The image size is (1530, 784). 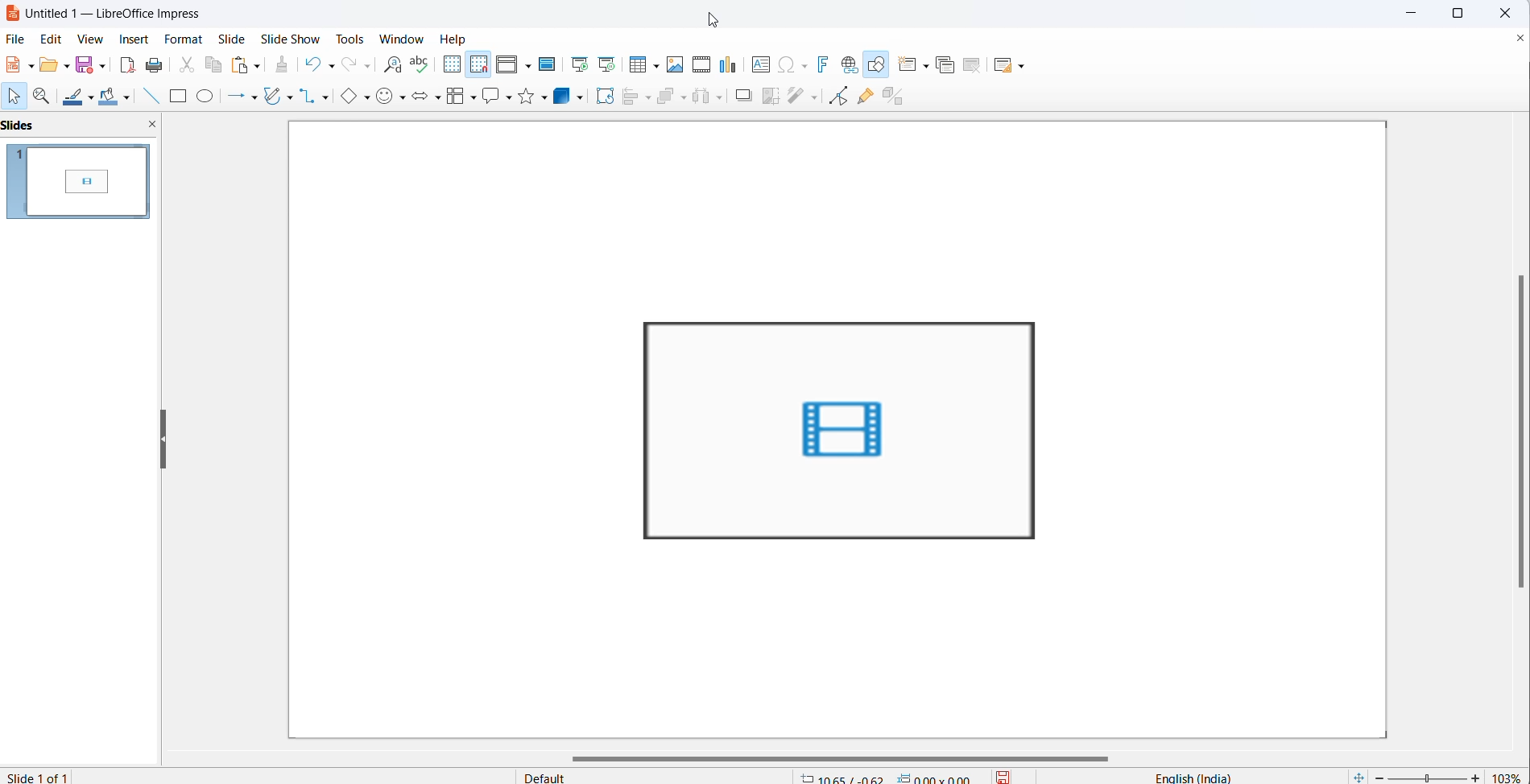 What do you see at coordinates (564, 95) in the screenshot?
I see `3d object` at bounding box center [564, 95].